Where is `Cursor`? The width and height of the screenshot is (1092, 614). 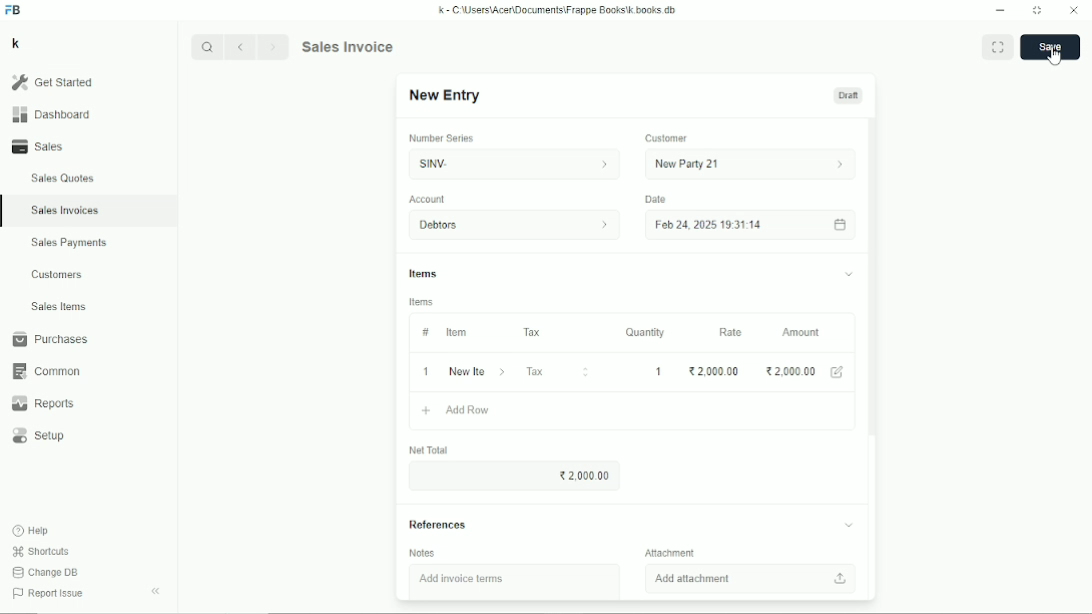 Cursor is located at coordinates (1053, 56).